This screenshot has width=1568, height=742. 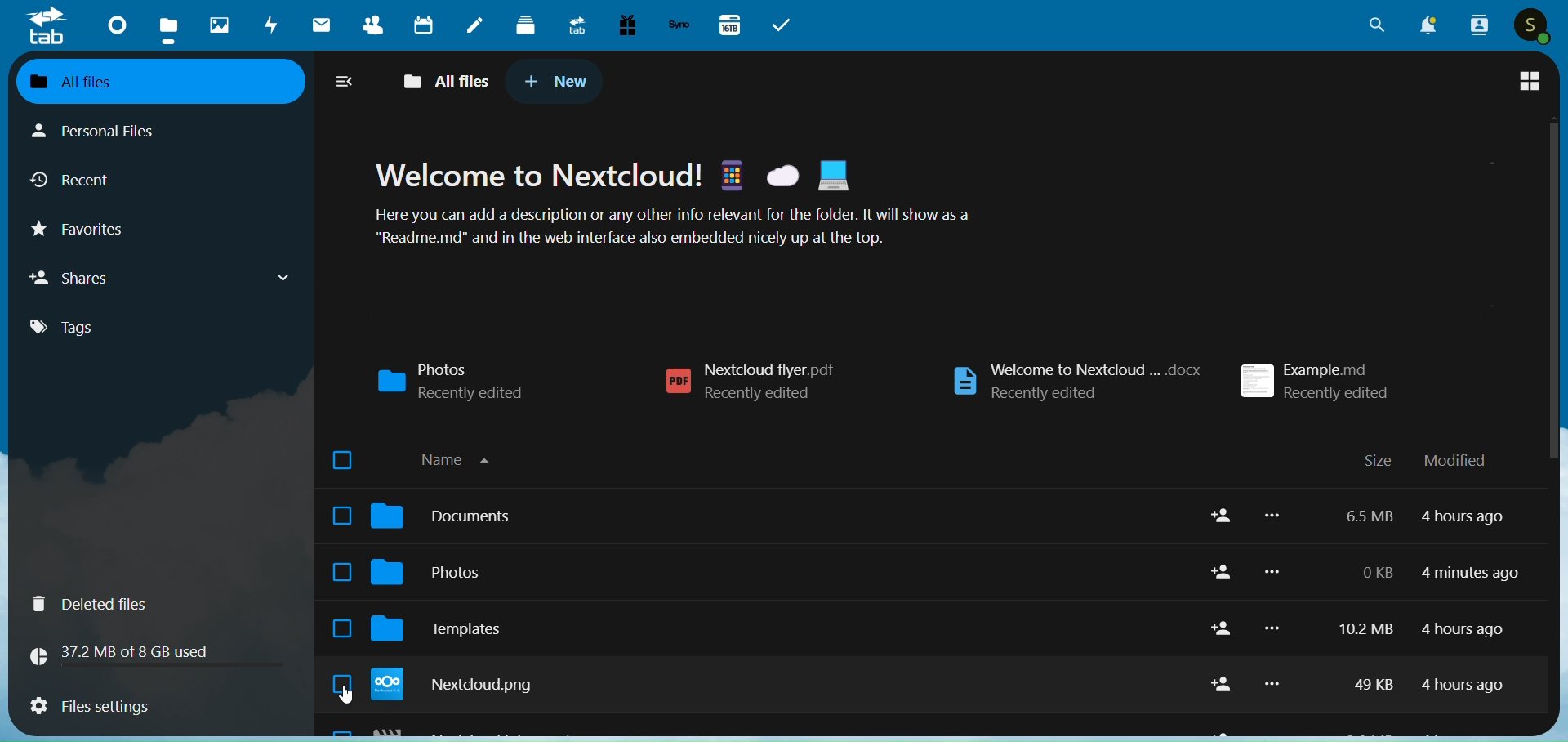 I want to click on upgrade, so click(x=572, y=26).